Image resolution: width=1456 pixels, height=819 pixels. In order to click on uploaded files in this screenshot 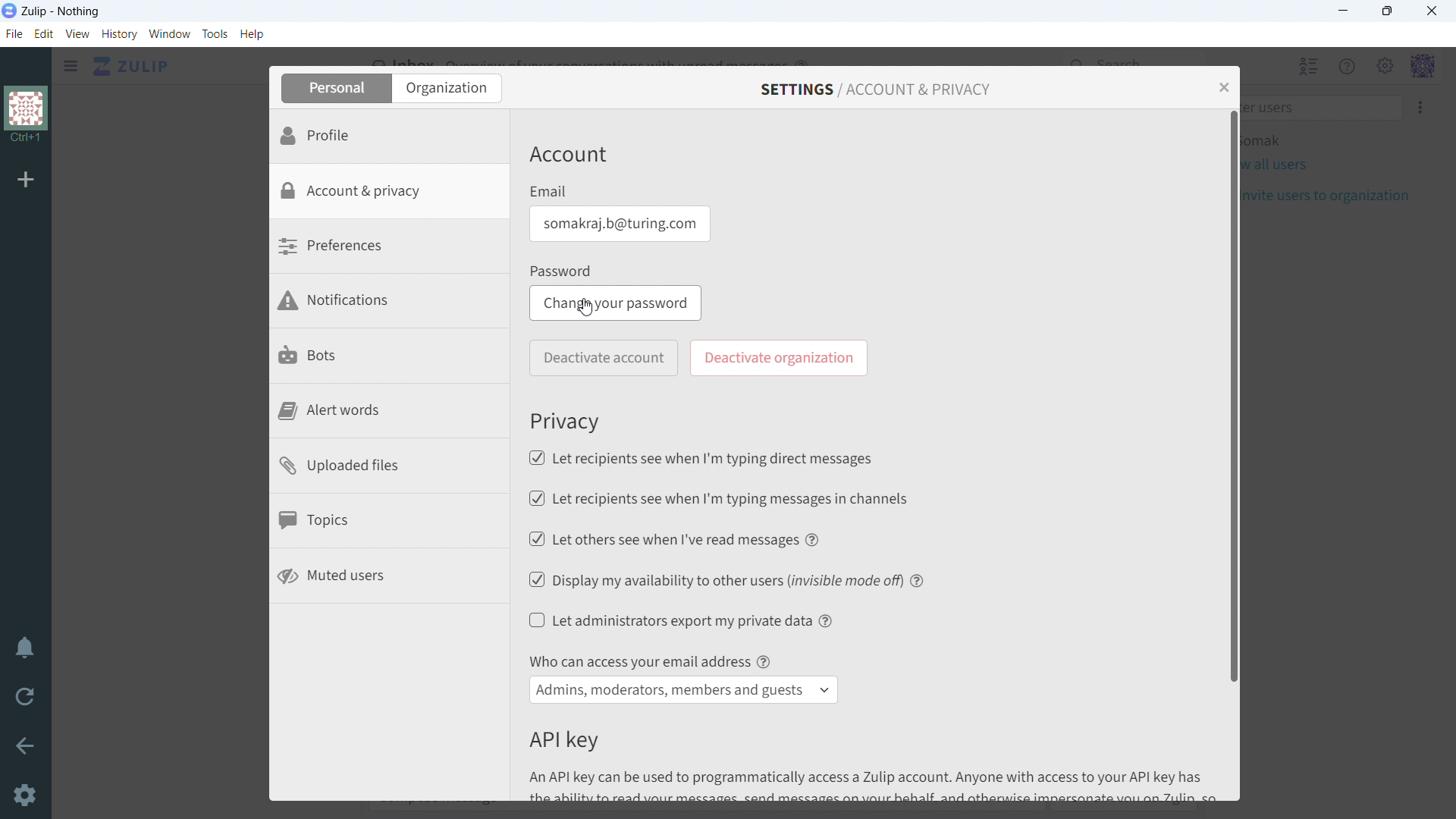, I will do `click(391, 467)`.